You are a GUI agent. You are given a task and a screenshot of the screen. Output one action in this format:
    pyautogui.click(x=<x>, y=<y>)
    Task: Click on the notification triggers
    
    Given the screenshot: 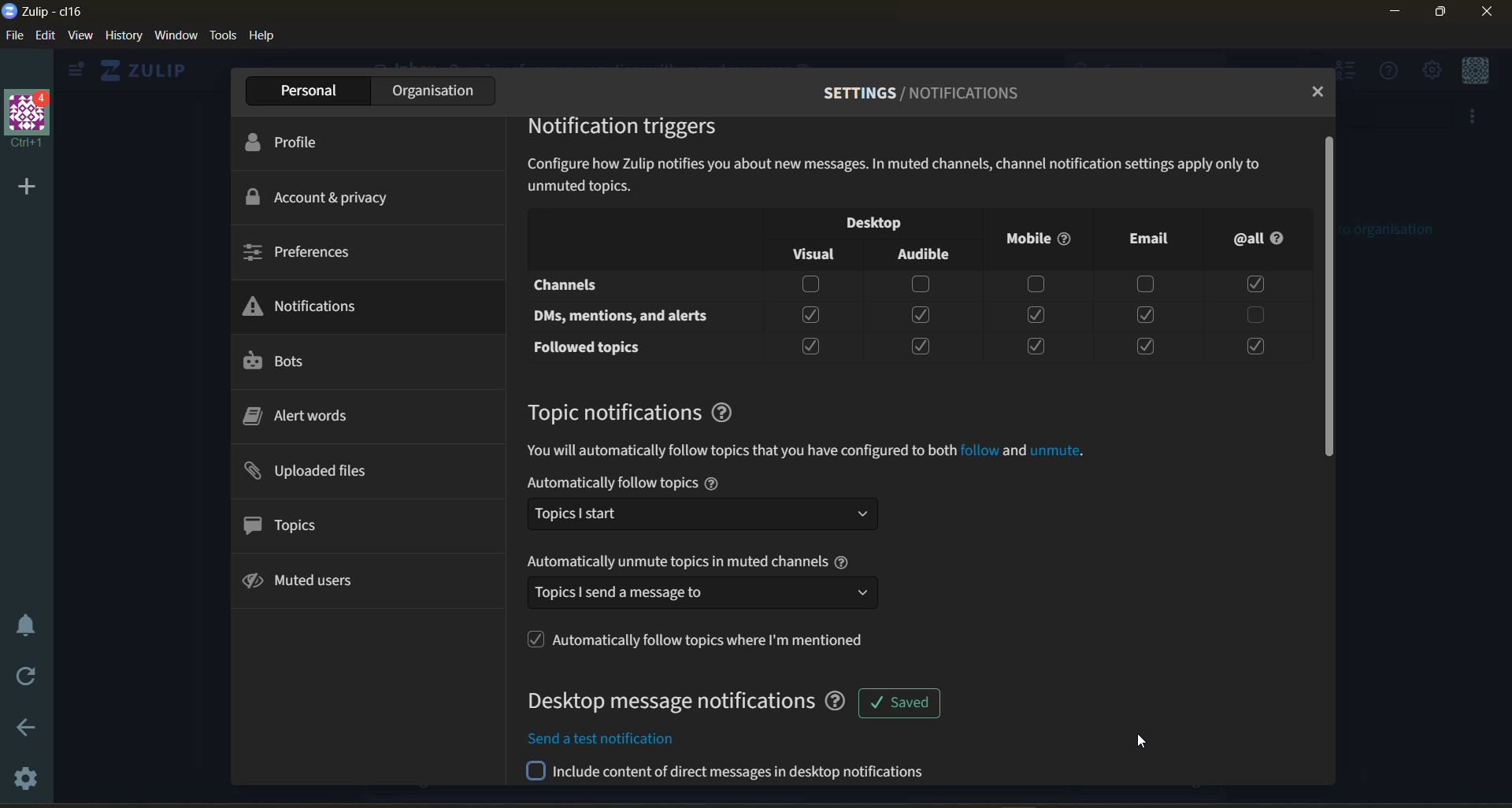 What is the action you would take?
    pyautogui.click(x=628, y=129)
    